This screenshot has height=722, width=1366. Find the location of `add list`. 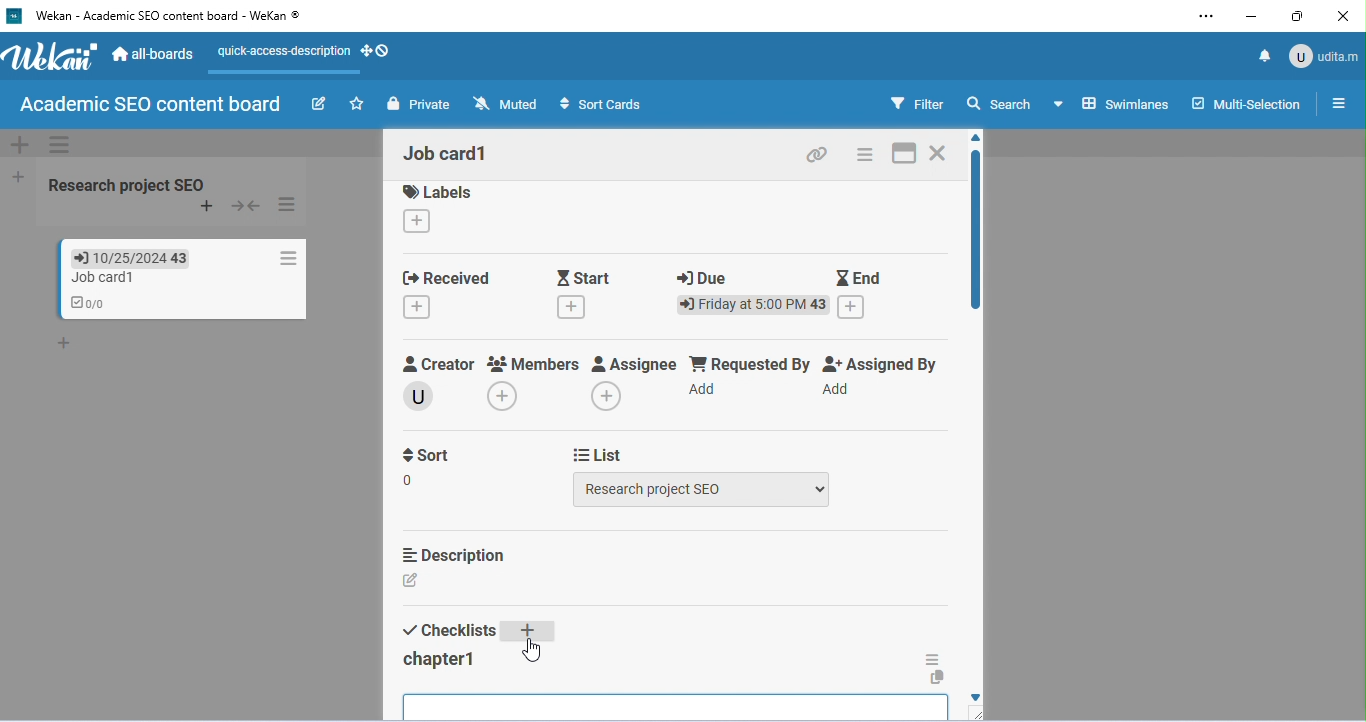

add list is located at coordinates (15, 175).